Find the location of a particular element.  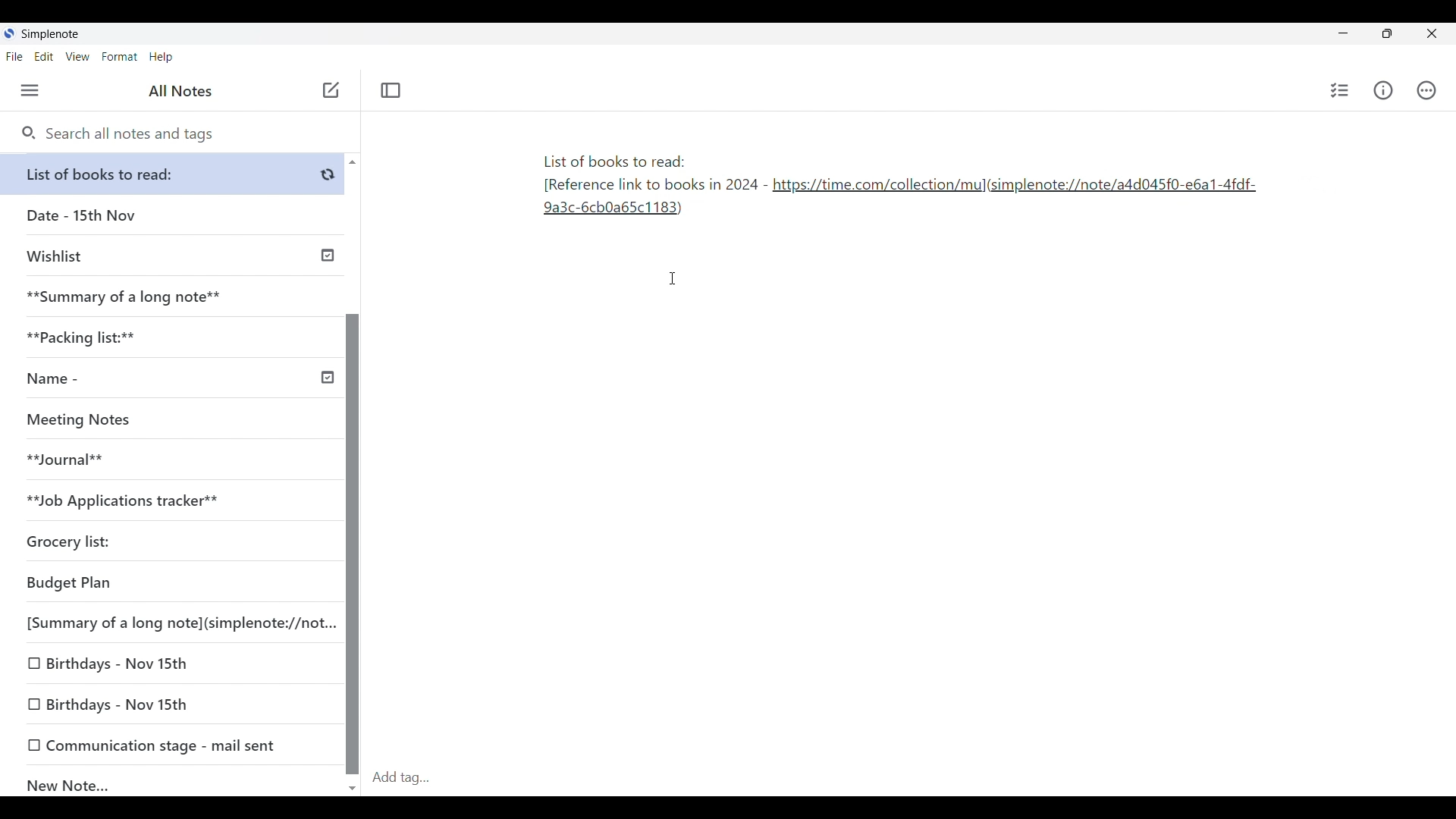

Toggle focus mode is located at coordinates (391, 90).